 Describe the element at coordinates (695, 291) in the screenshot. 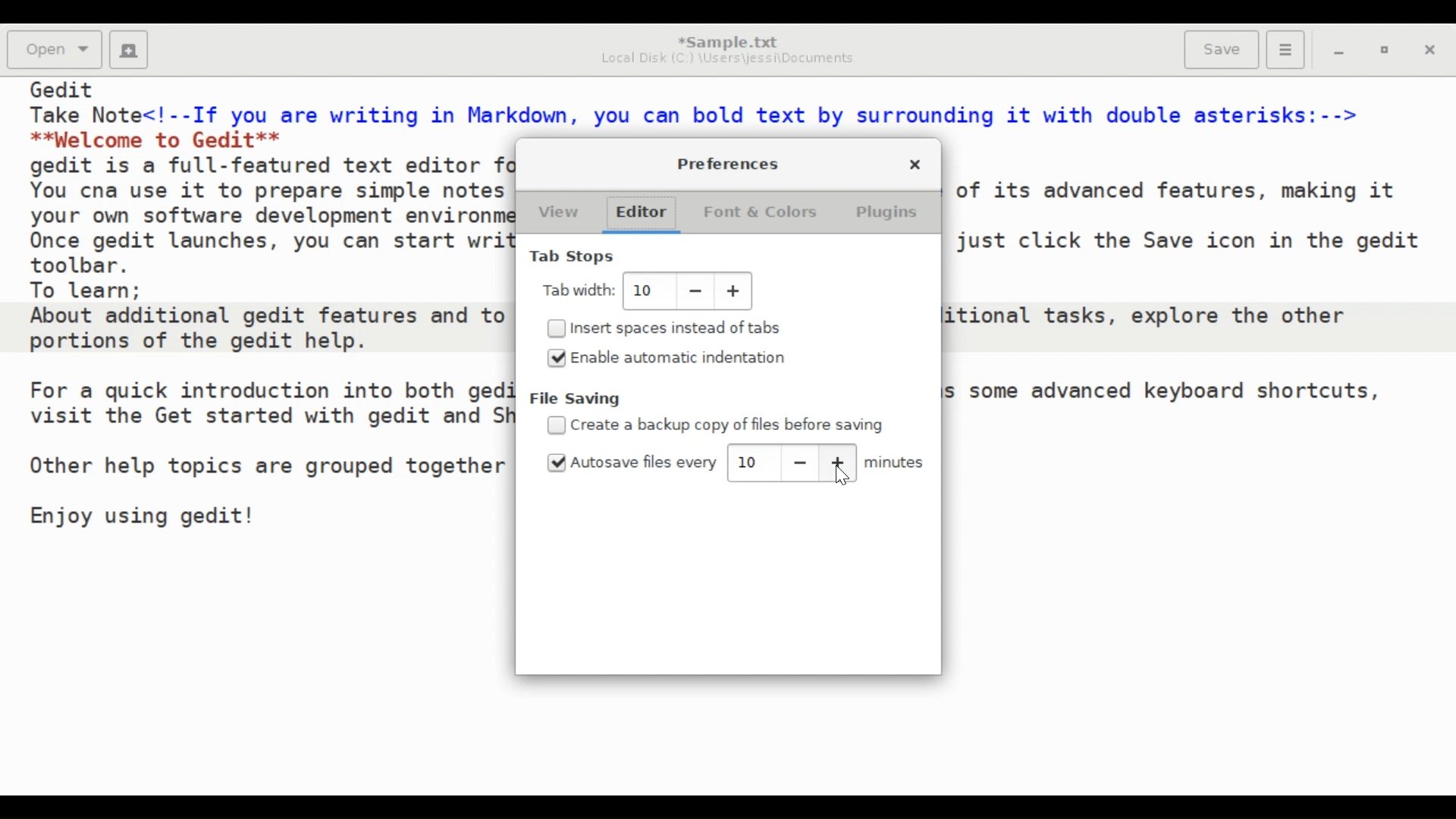

I see `decrease` at that location.